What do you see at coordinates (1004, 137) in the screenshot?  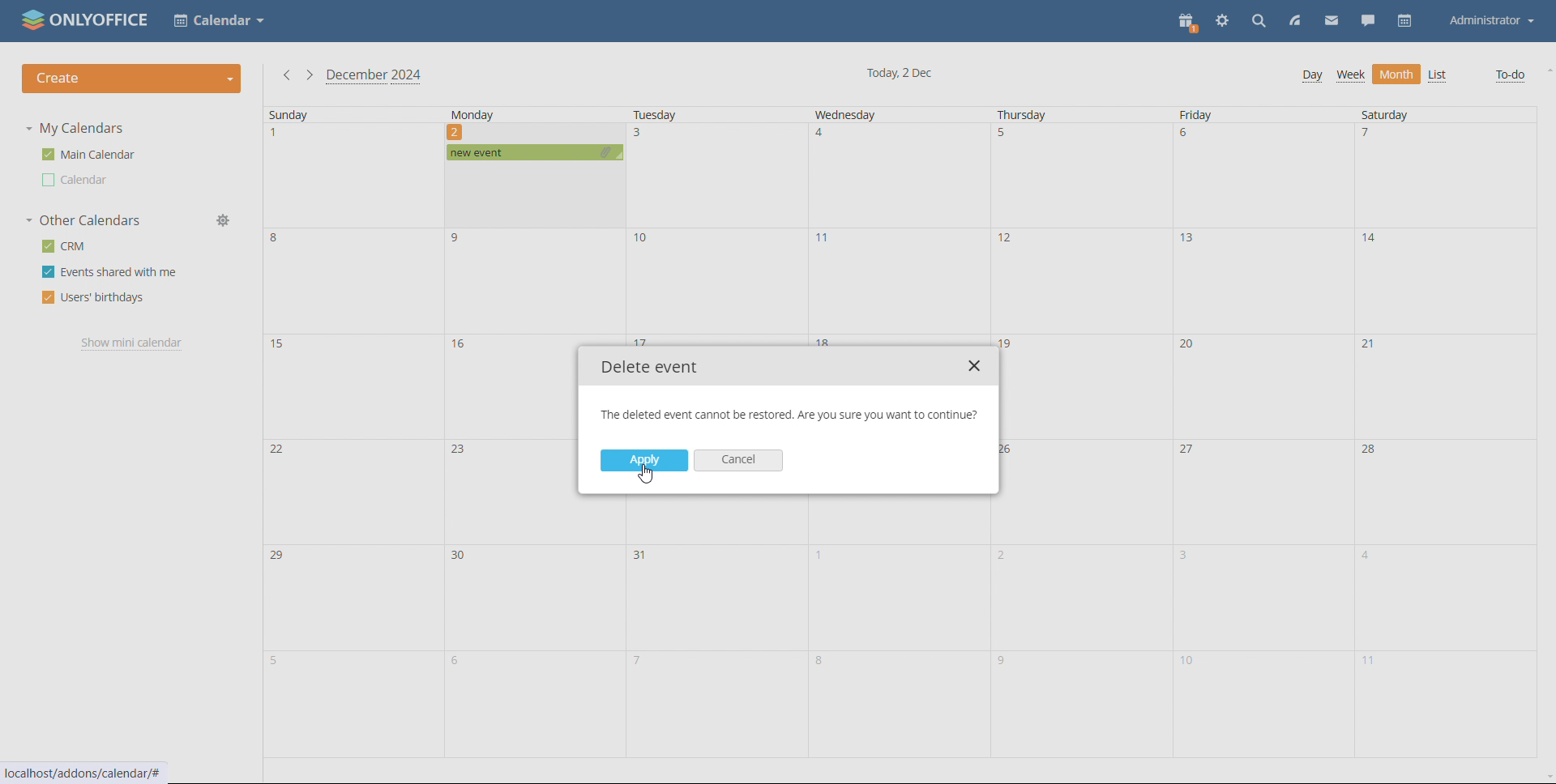 I see `5` at bounding box center [1004, 137].